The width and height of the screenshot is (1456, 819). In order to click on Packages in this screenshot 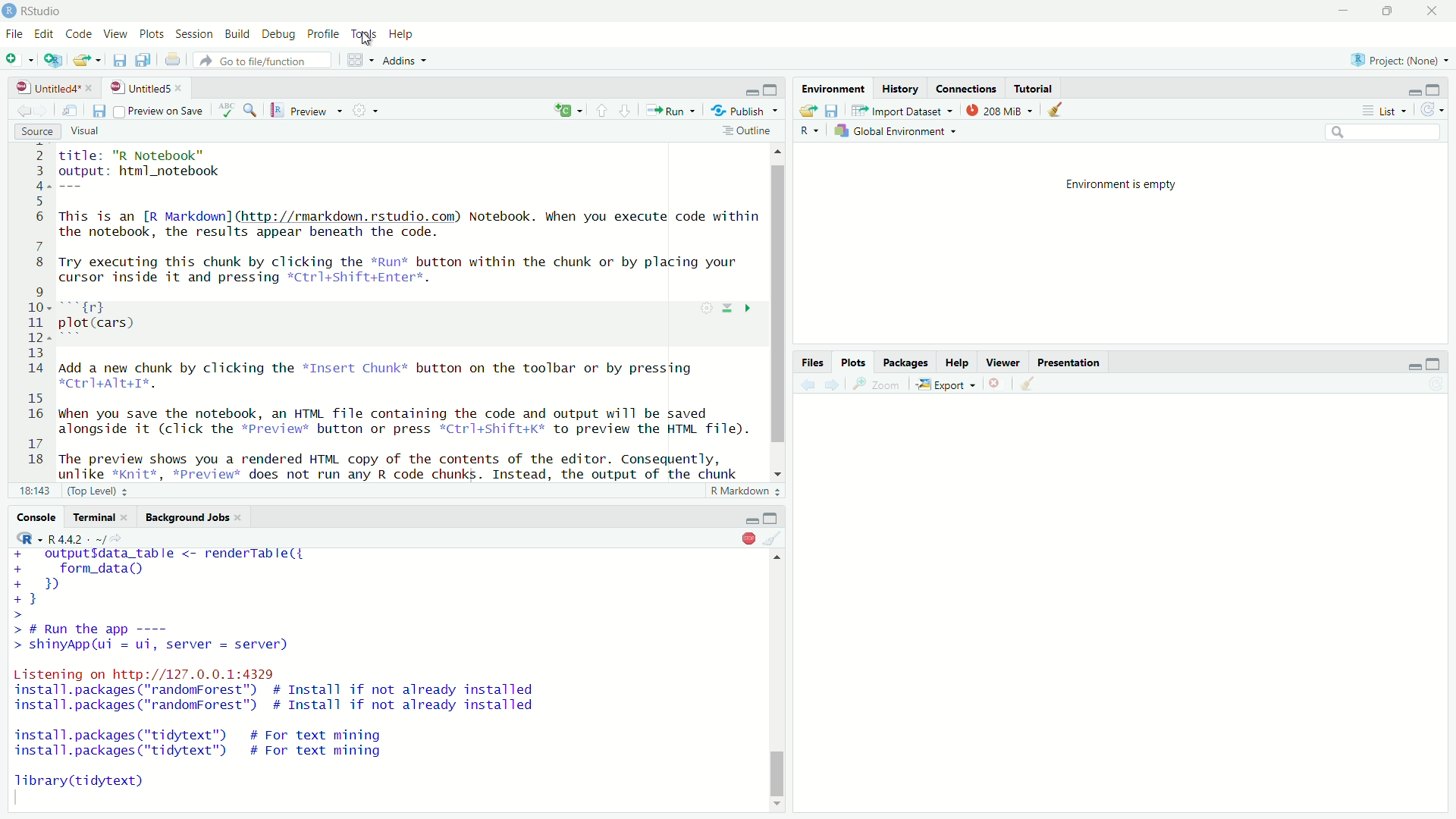, I will do `click(907, 363)`.